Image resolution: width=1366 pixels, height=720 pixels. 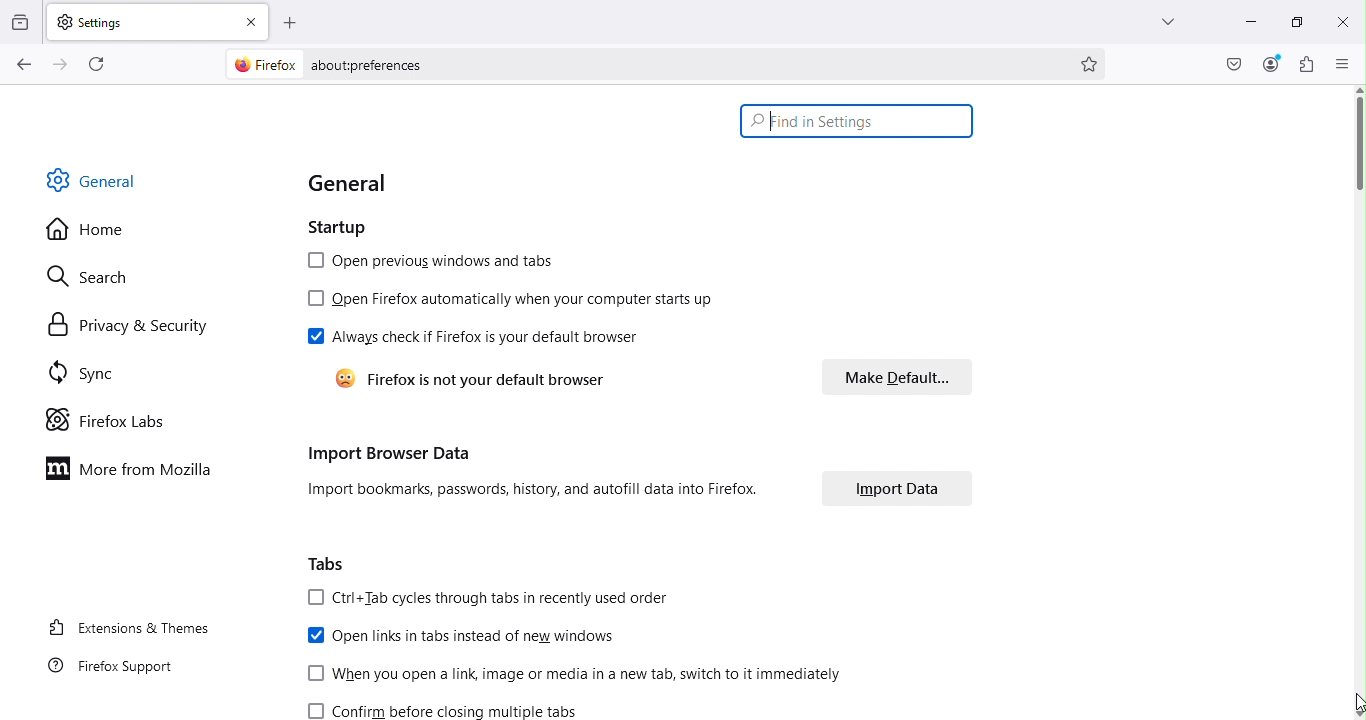 I want to click on More from Mozilla, so click(x=135, y=473).